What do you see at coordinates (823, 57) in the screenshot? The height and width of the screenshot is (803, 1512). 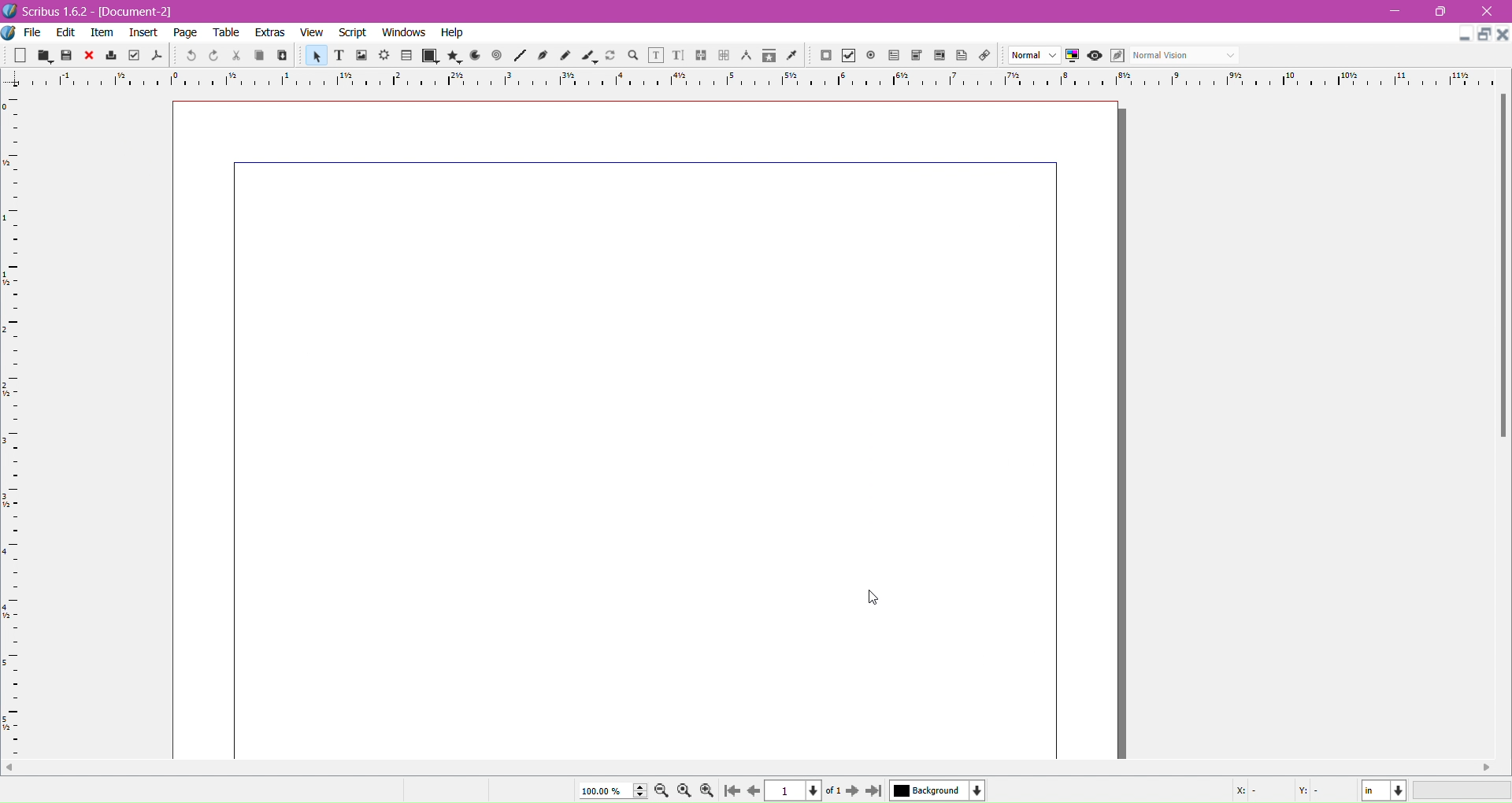 I see `icon` at bounding box center [823, 57].